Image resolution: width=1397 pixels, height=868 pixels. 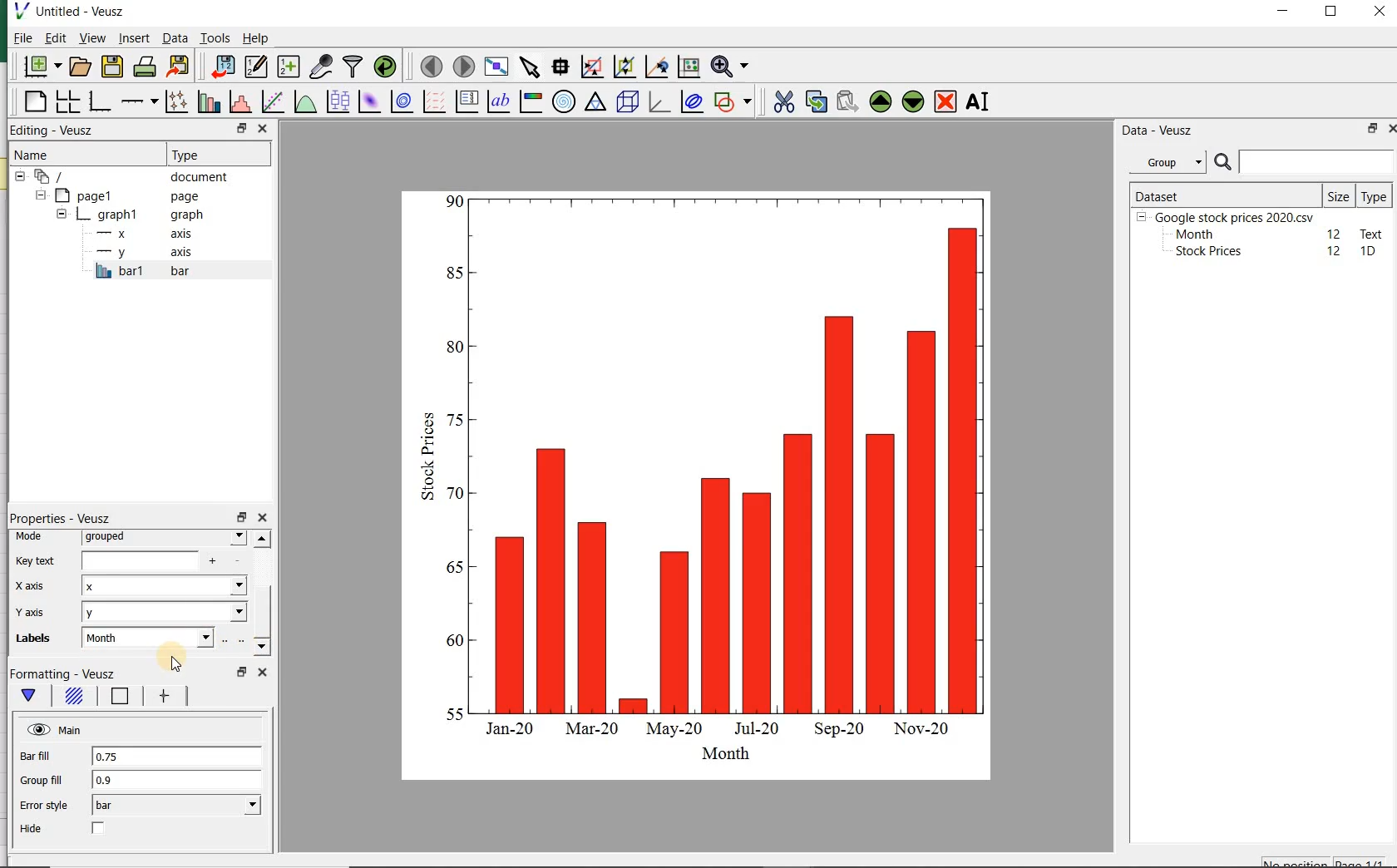 I want to click on Bar fill, so click(x=36, y=757).